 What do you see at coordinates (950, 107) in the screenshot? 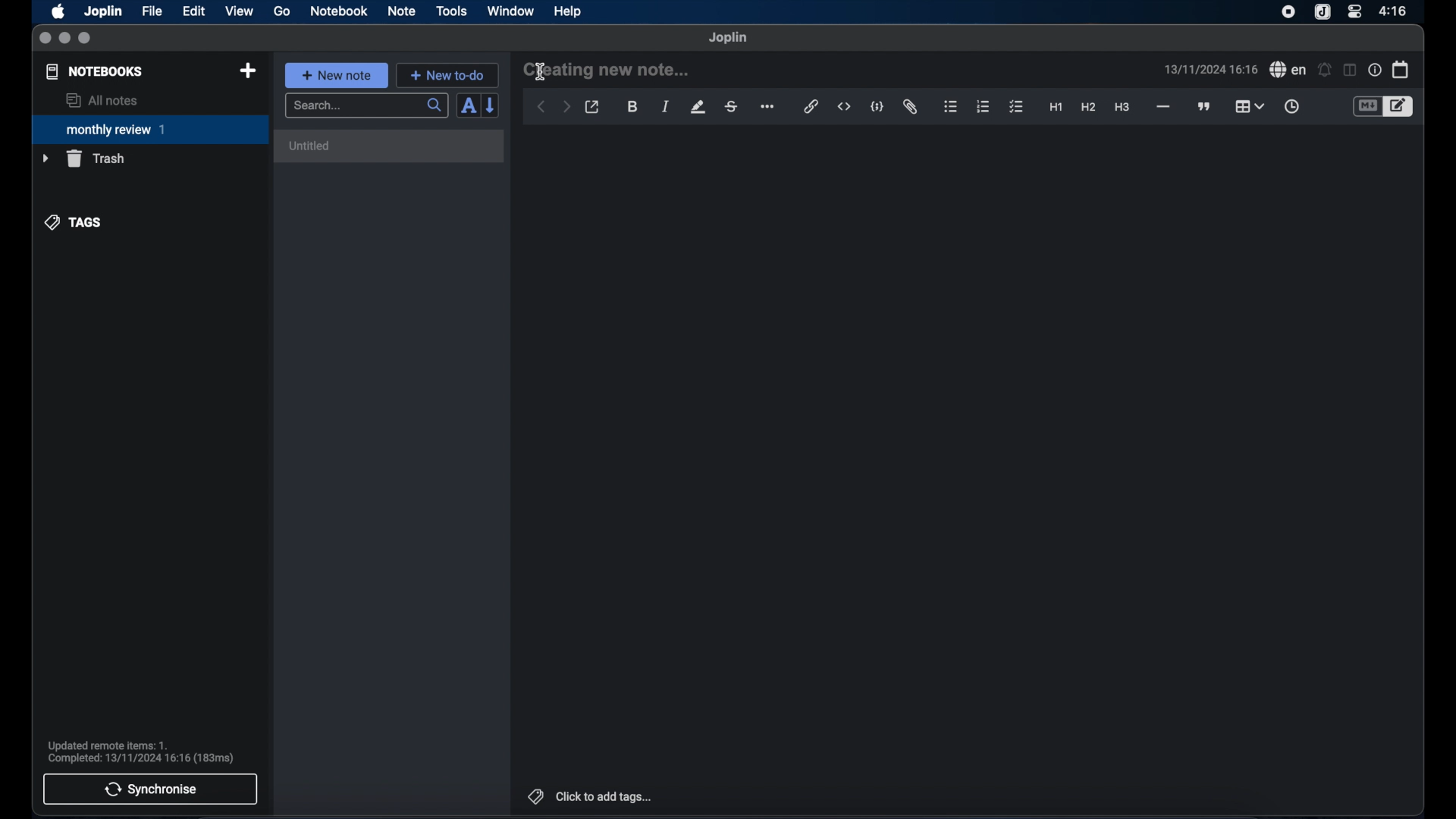
I see `bulleted list` at bounding box center [950, 107].